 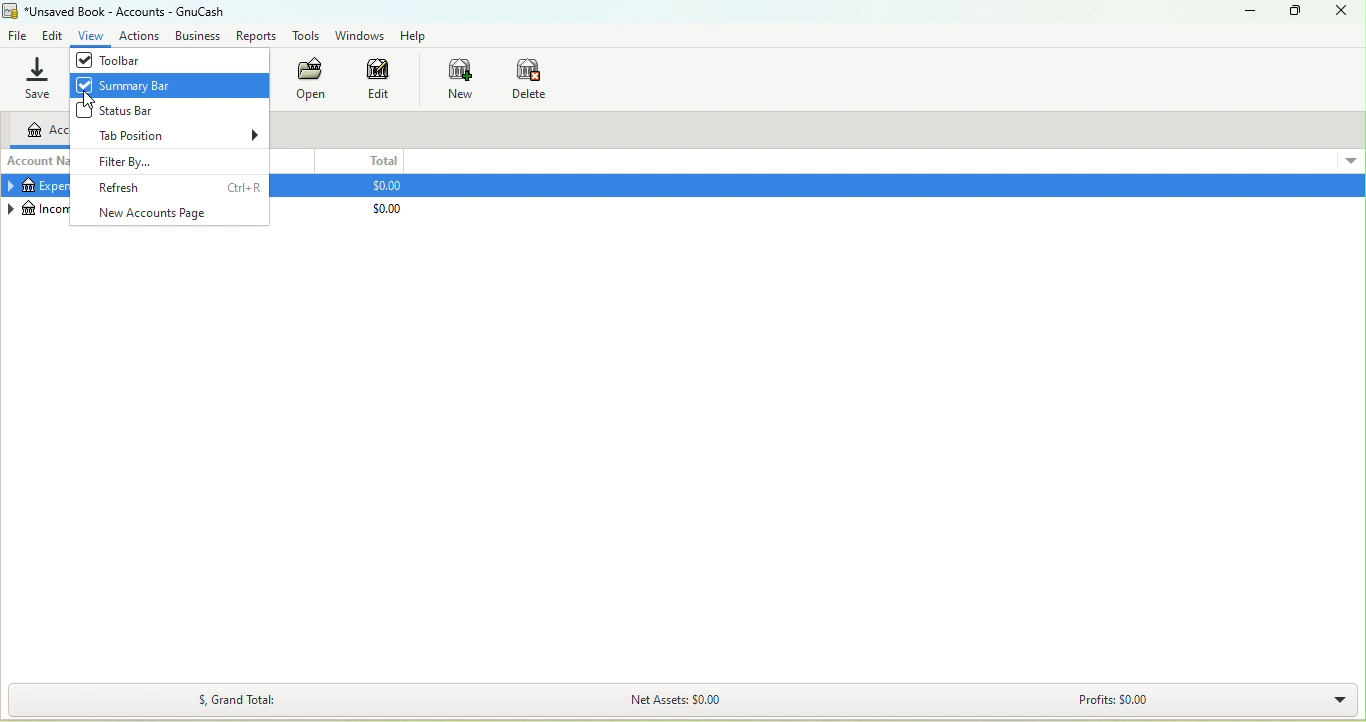 I want to click on $, Grand Total, so click(x=244, y=699).